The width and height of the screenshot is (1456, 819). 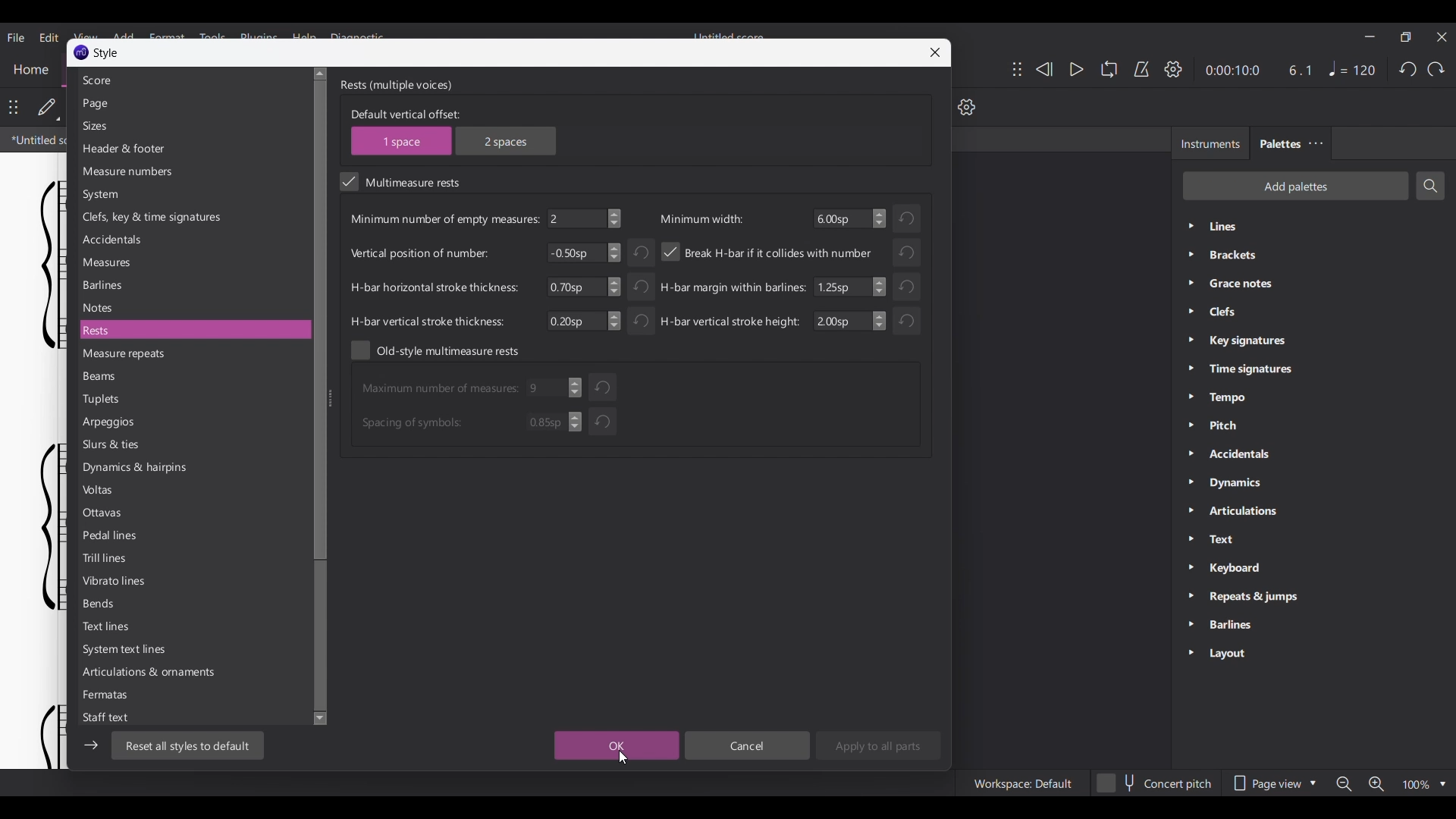 I want to click on File menu, so click(x=16, y=37).